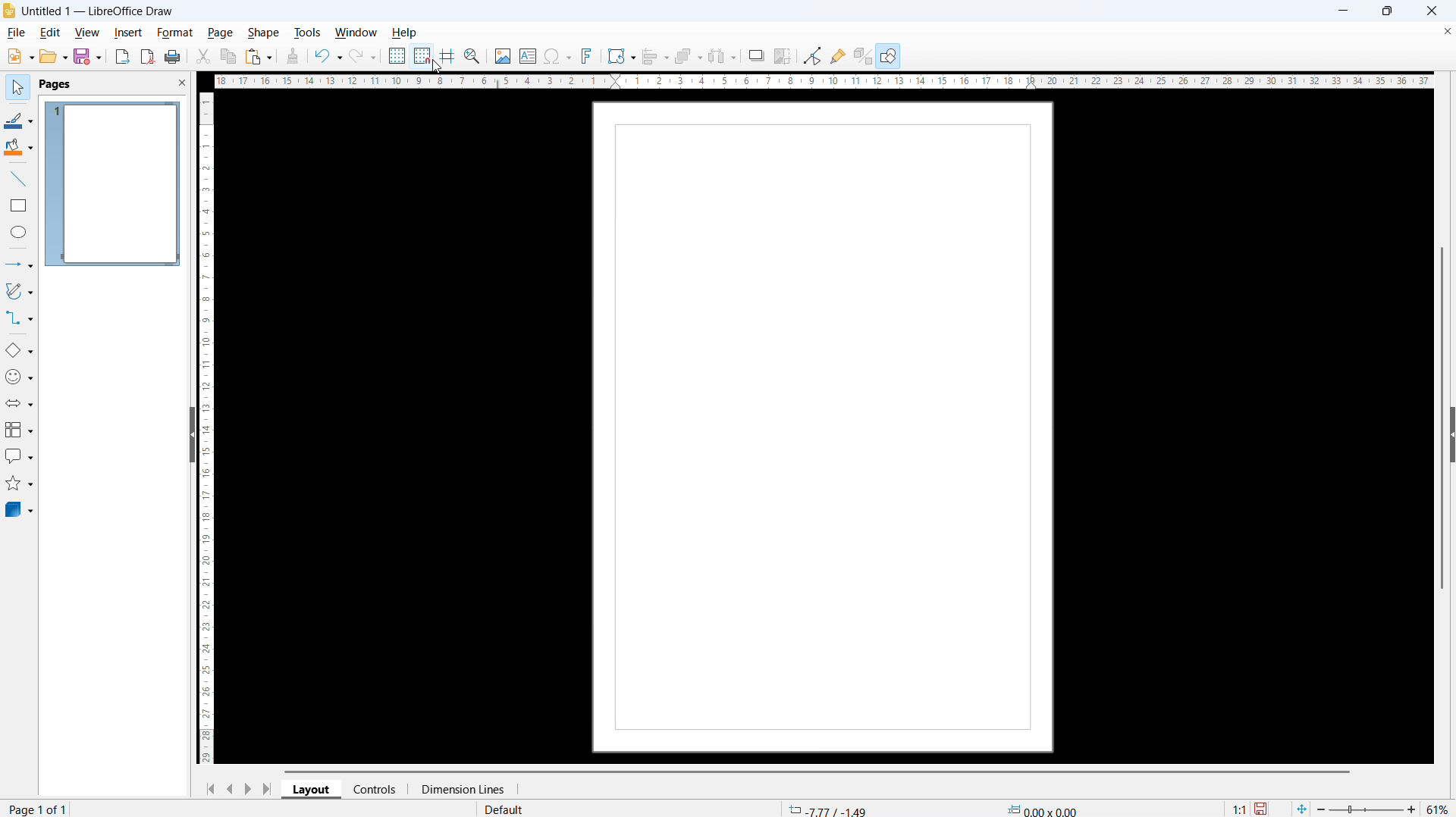 This screenshot has width=1456, height=817. Describe the element at coordinates (18, 318) in the screenshot. I see `connectors` at that location.